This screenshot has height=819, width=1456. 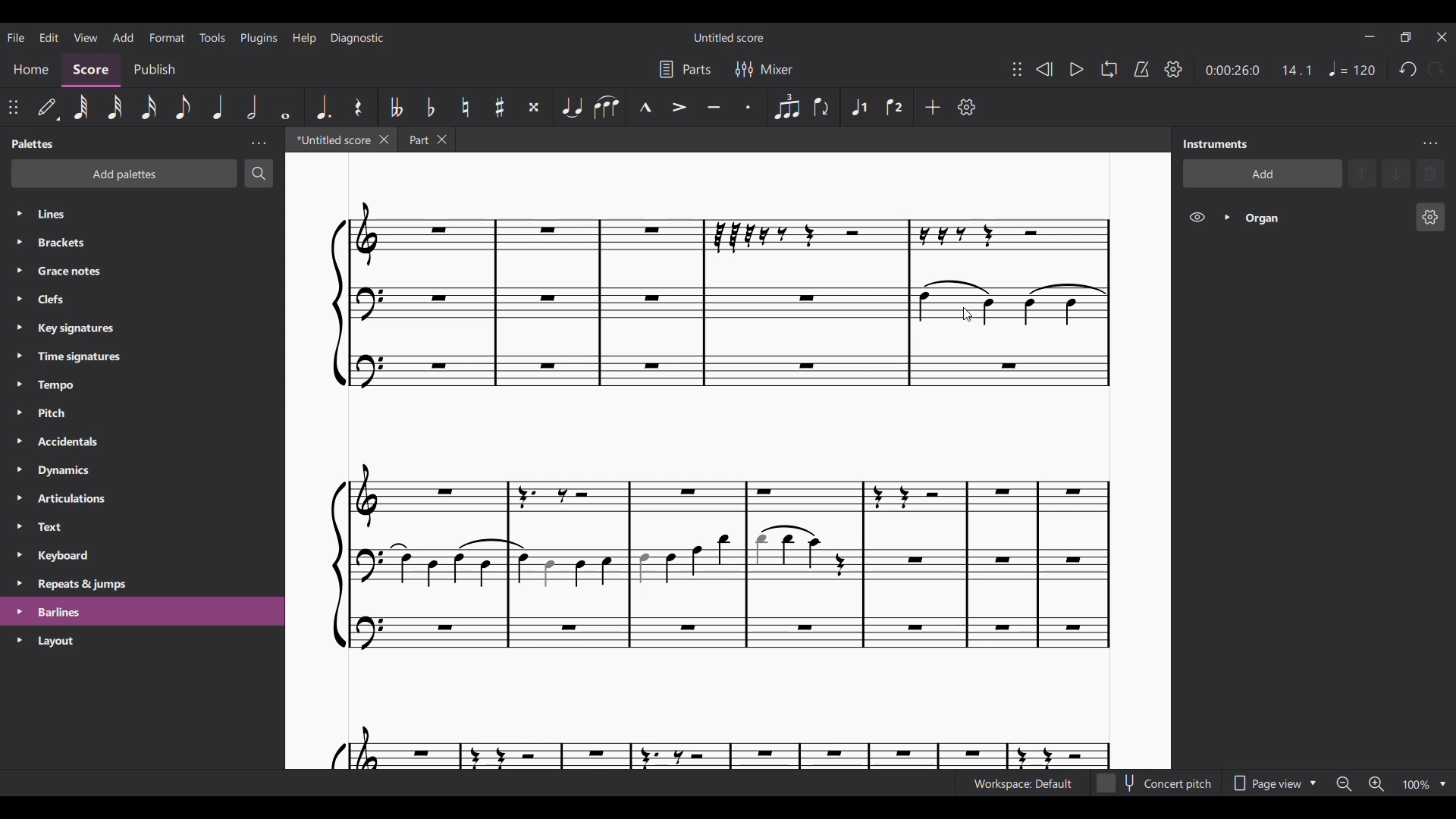 I want to click on Quarter note, so click(x=218, y=108).